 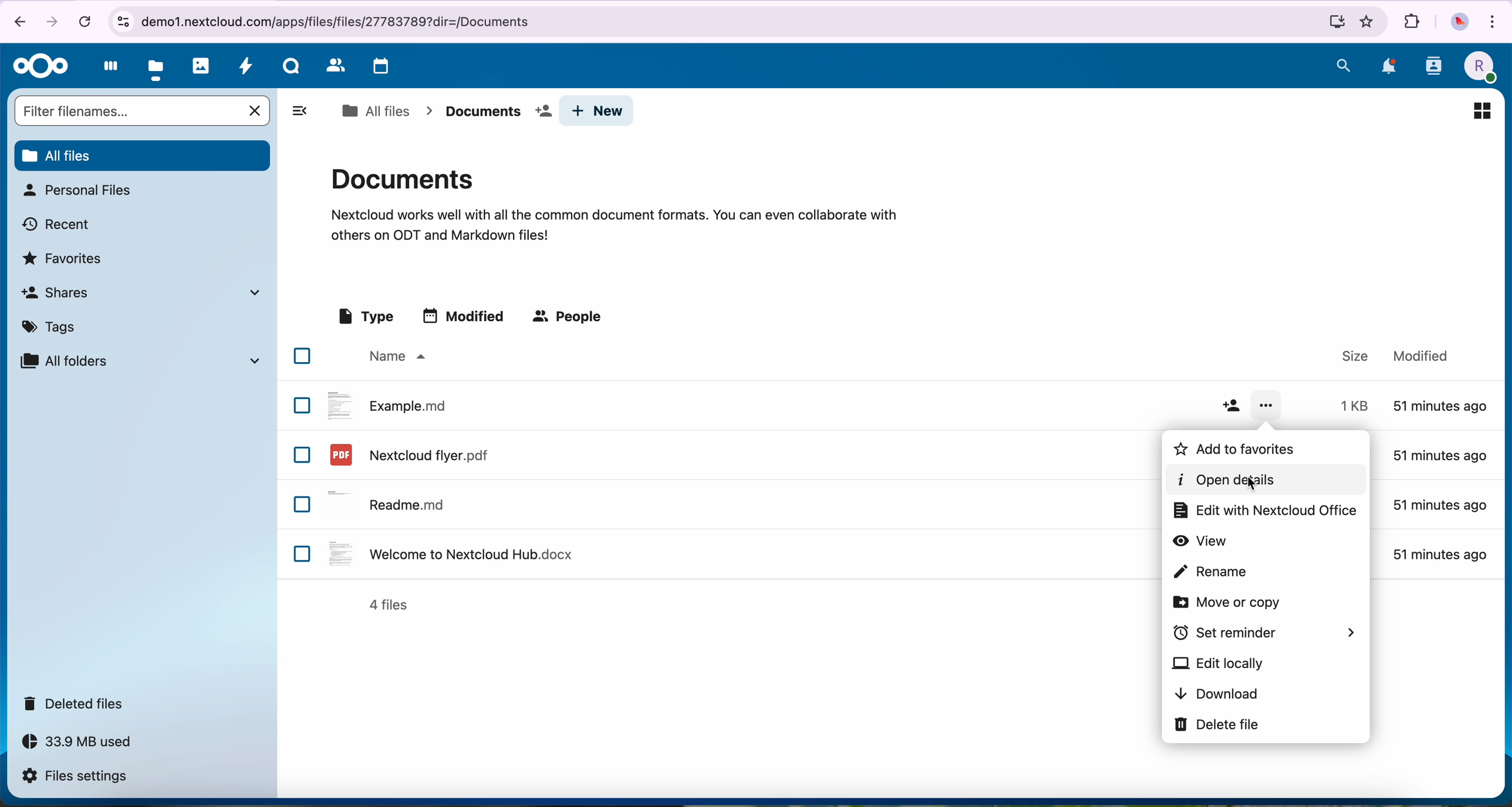 I want to click on contacts, so click(x=333, y=66).